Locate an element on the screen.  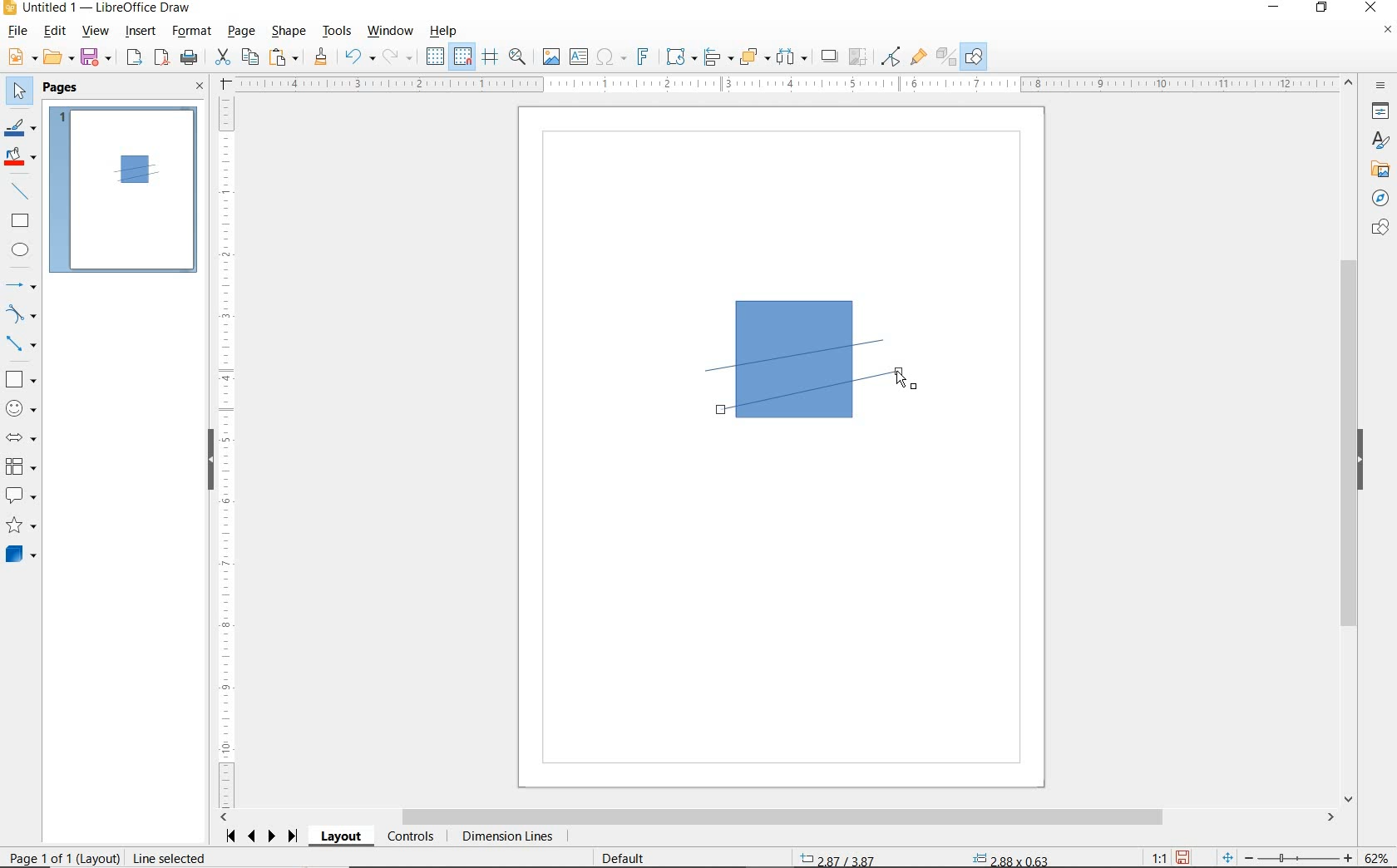
HIDE is located at coordinates (210, 461).